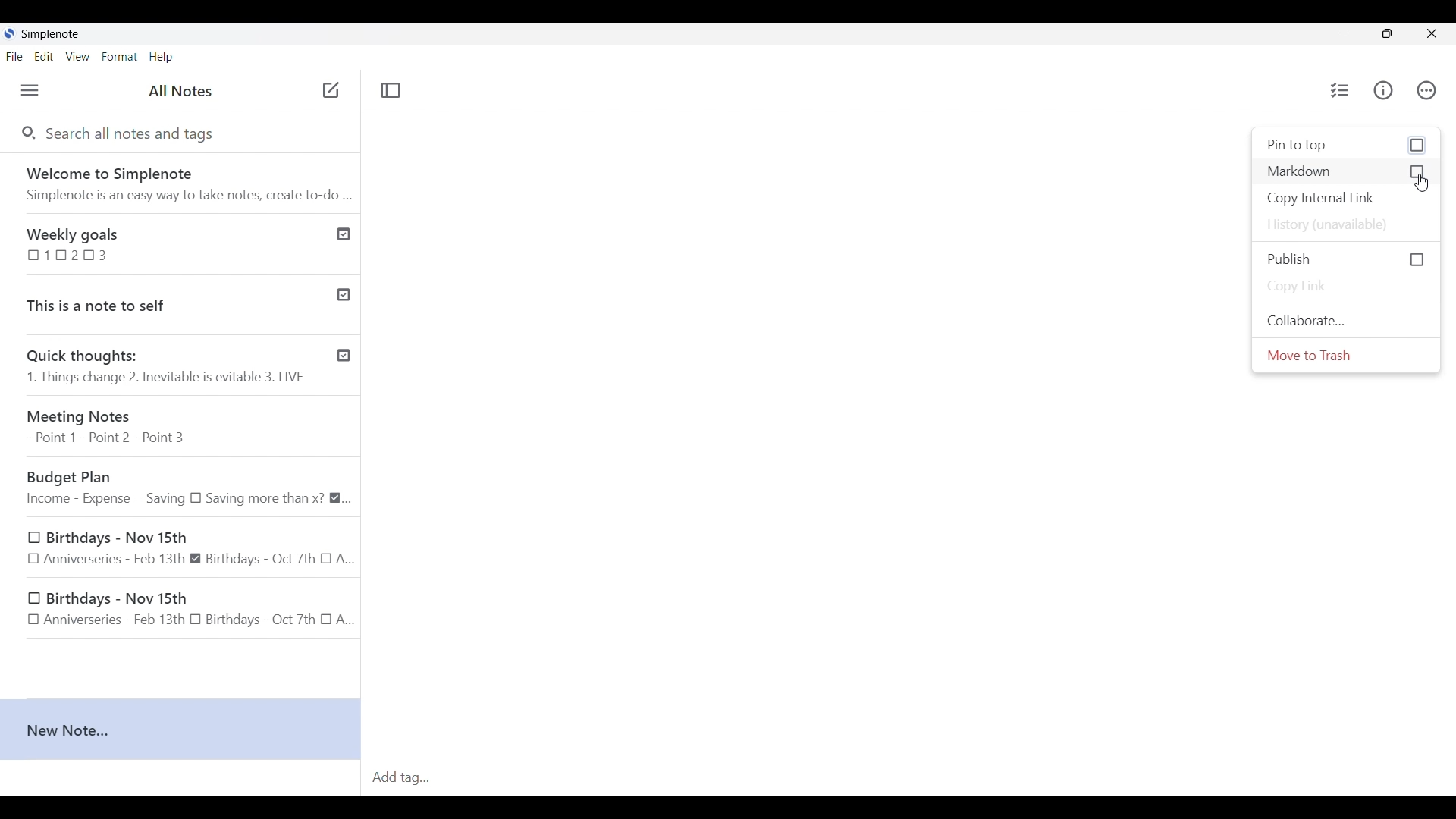  Describe the element at coordinates (392, 91) in the screenshot. I see `Toggle focus mode` at that location.